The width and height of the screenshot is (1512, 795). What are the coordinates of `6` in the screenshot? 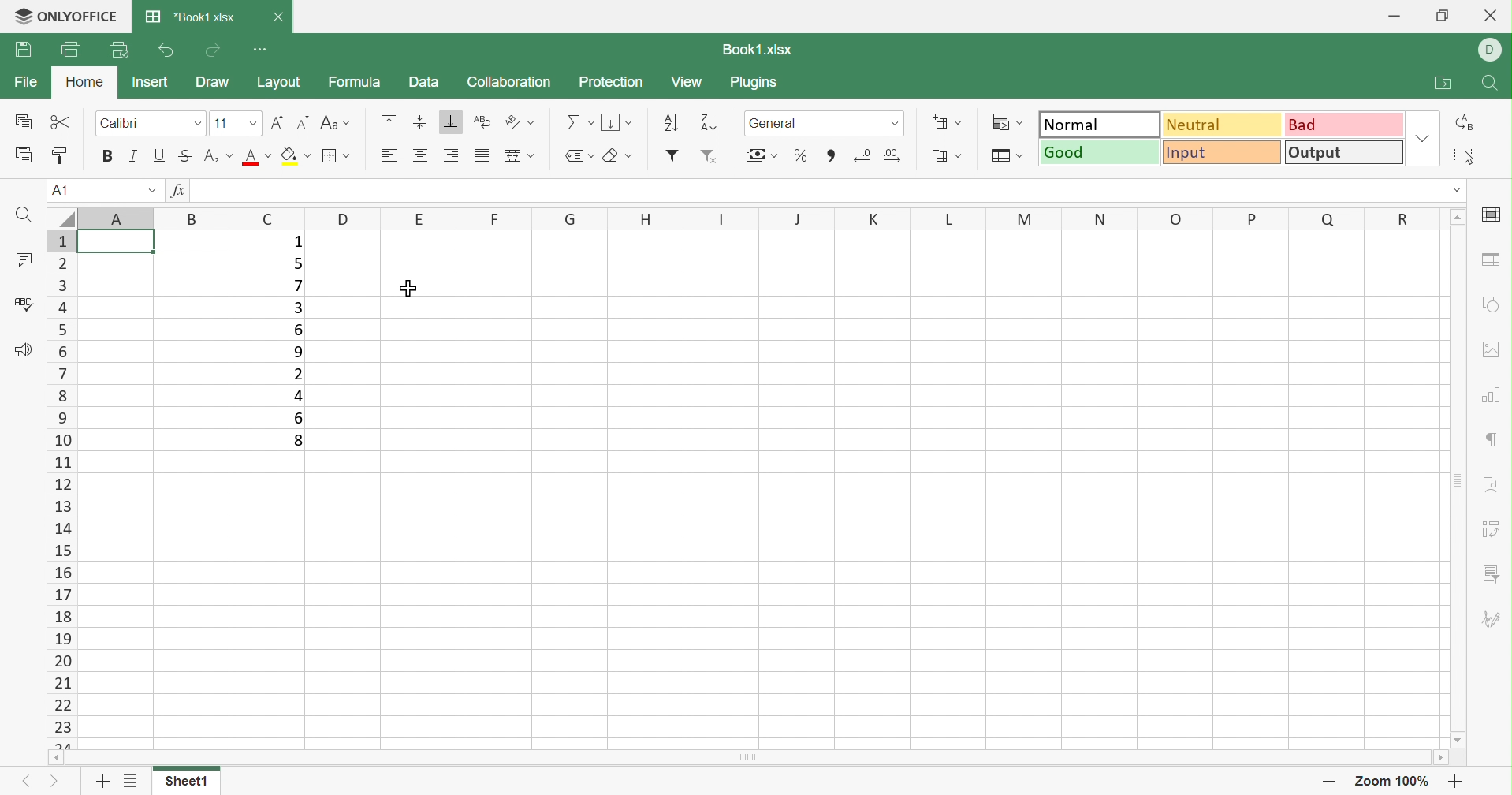 It's located at (296, 328).